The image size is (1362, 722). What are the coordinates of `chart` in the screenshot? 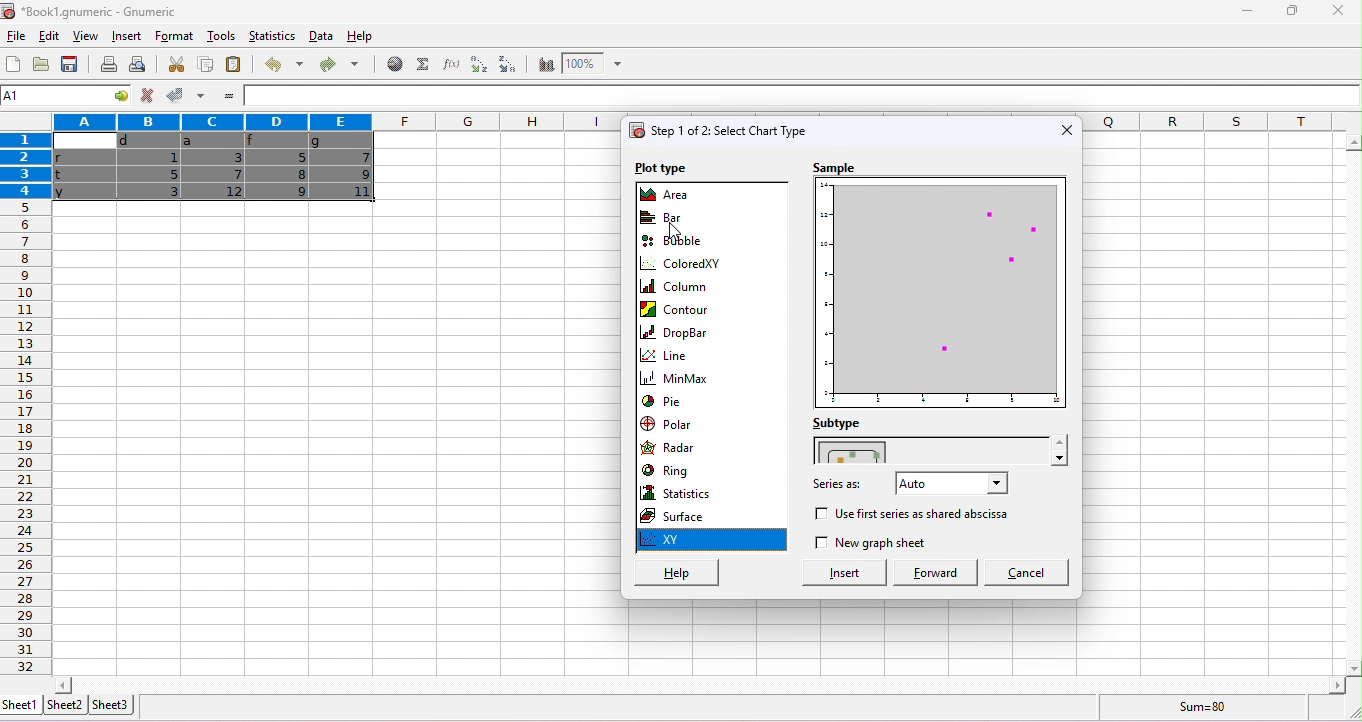 It's located at (545, 64).